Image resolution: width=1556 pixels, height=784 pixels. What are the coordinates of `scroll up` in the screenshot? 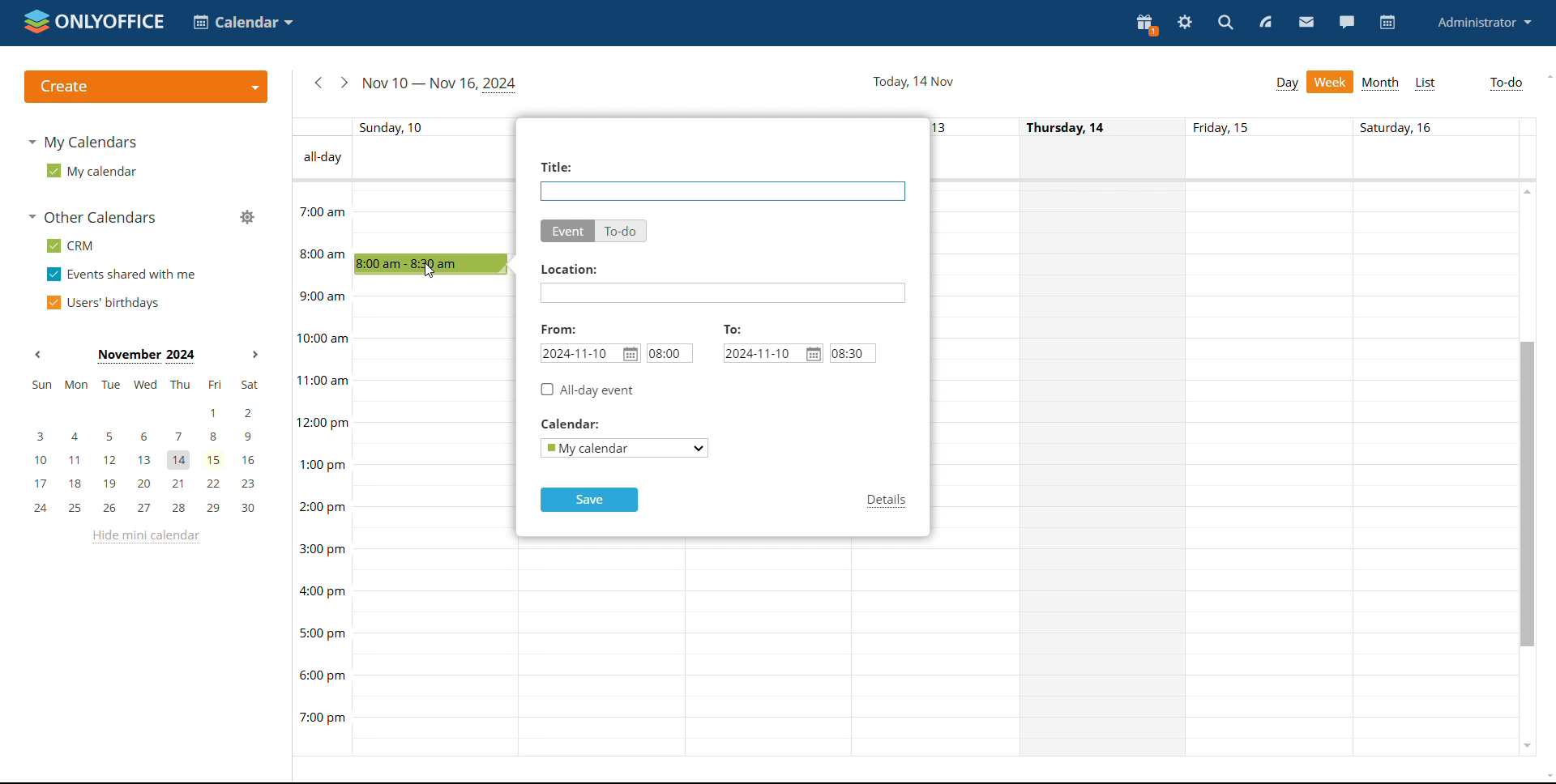 It's located at (1546, 76).